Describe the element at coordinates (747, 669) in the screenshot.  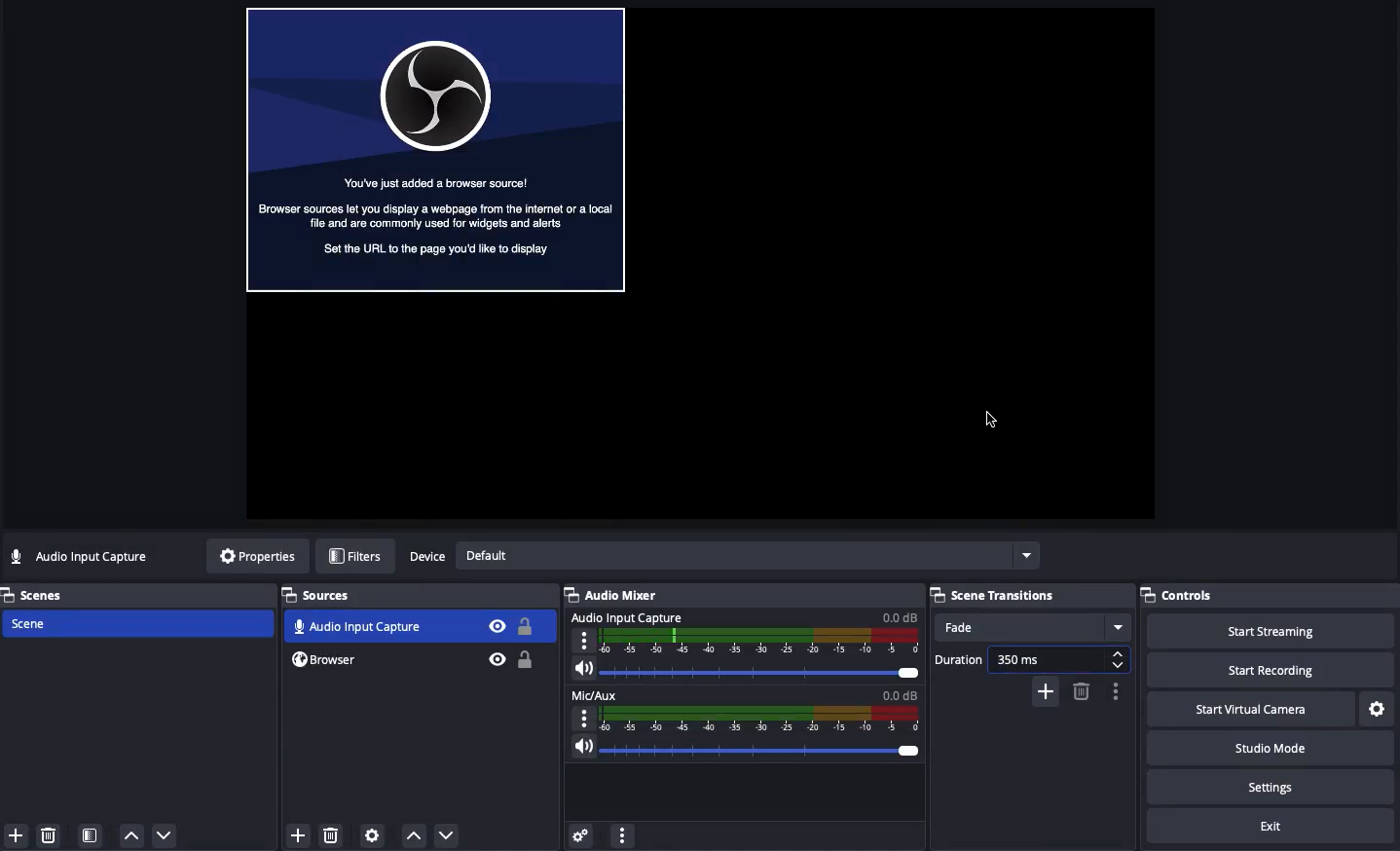
I see `Volume` at that location.